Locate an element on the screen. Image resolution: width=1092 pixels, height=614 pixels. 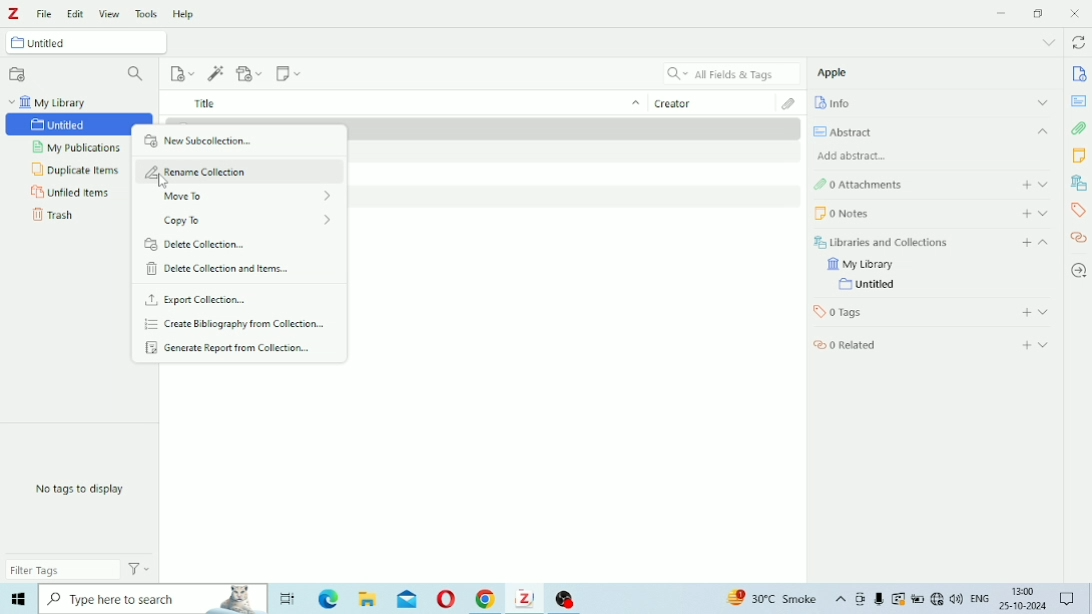
Delete Collection and items... is located at coordinates (217, 268).